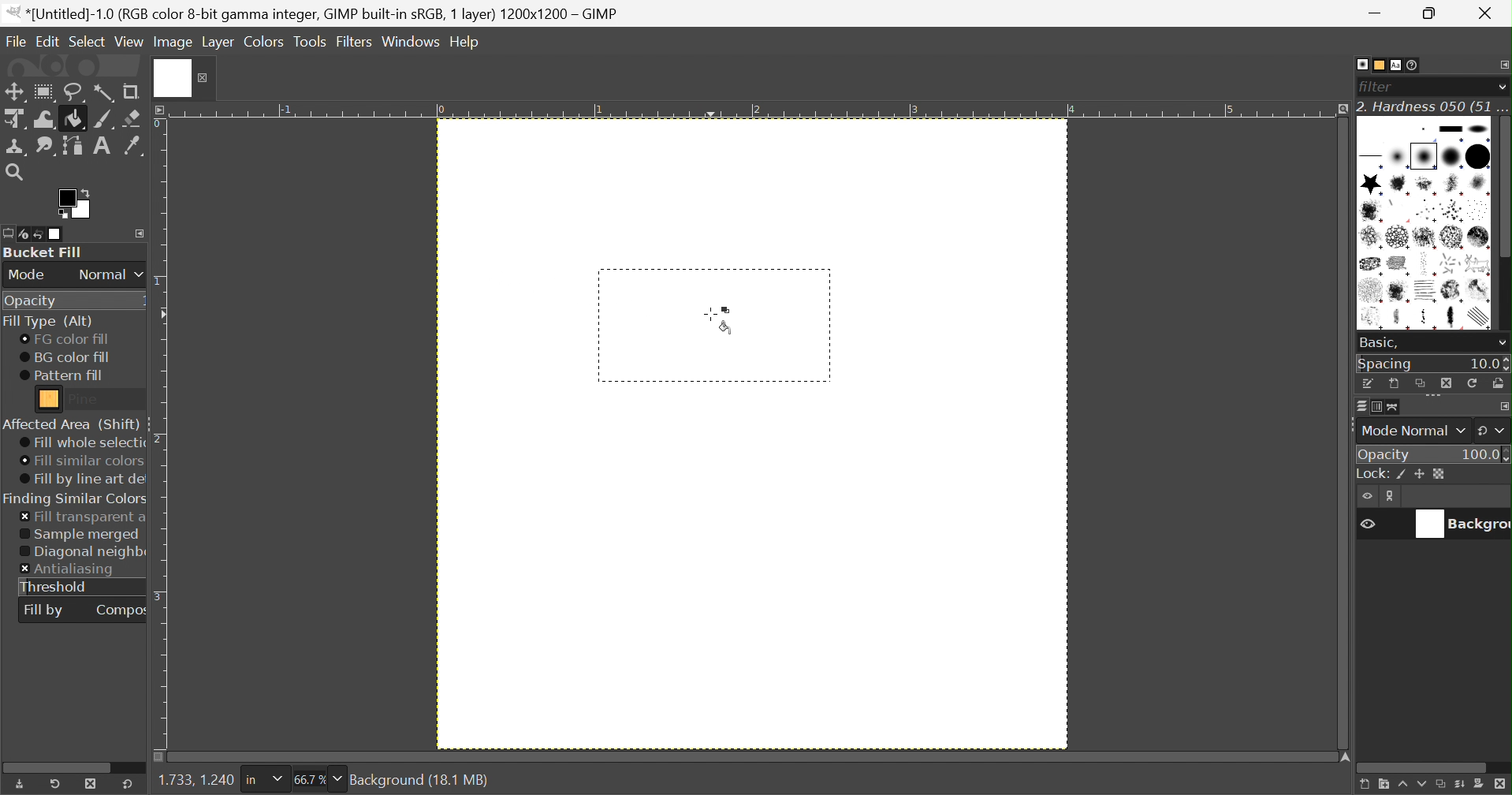 The image size is (1512, 795). I want to click on Device Status, so click(24, 235).